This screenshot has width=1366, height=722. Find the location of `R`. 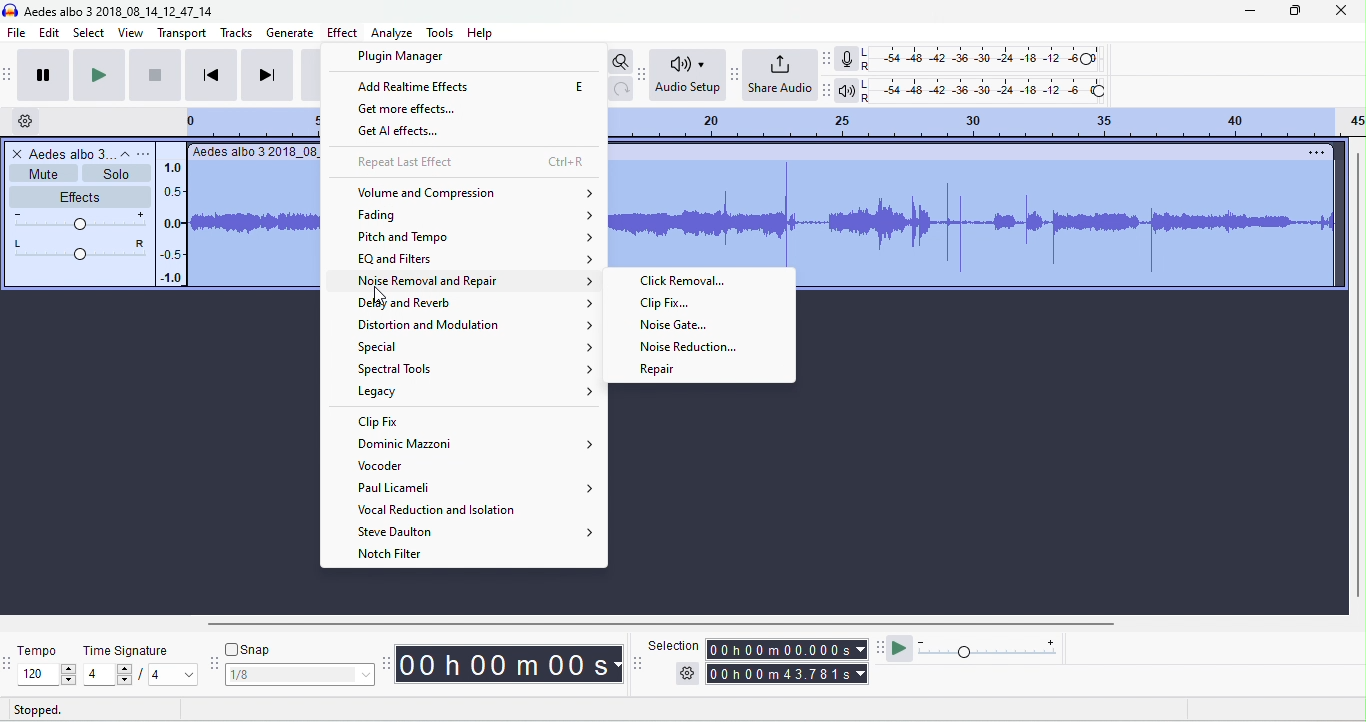

R is located at coordinates (867, 98).